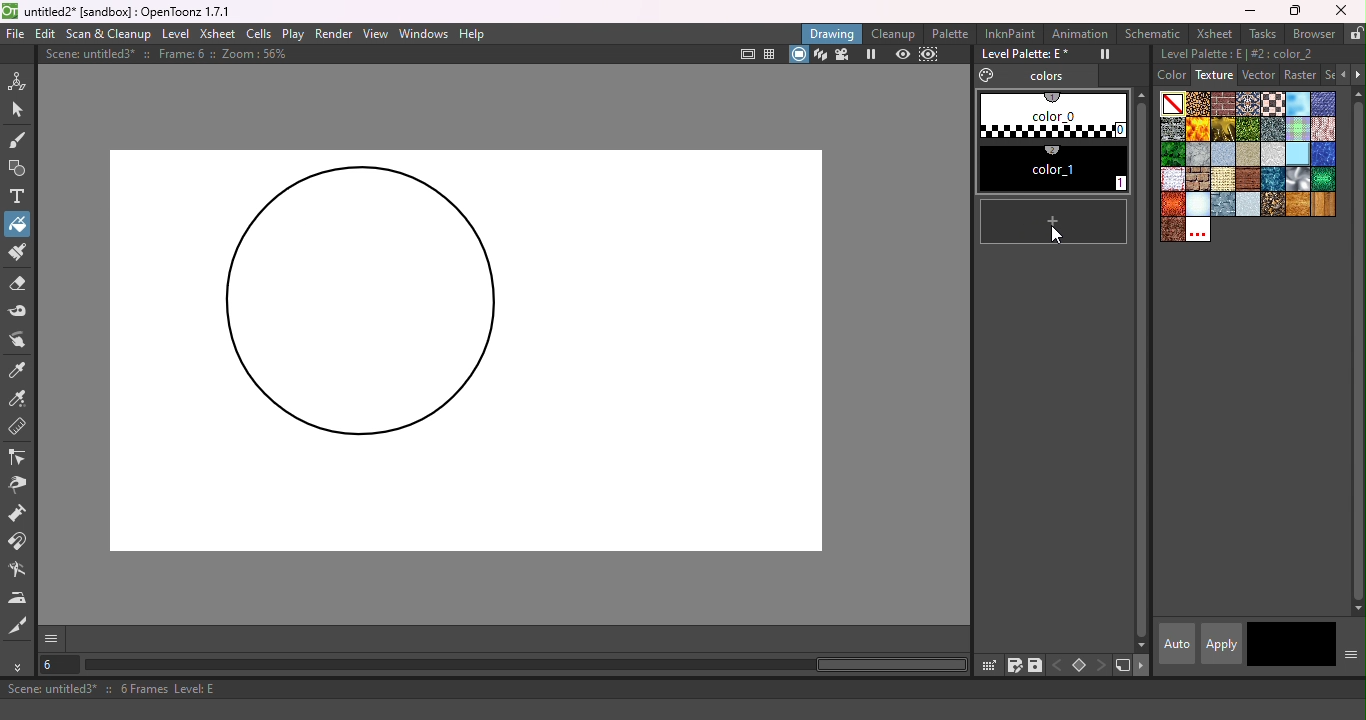  Describe the element at coordinates (1274, 204) in the screenshot. I see `wetpebbles.bmp` at that location.